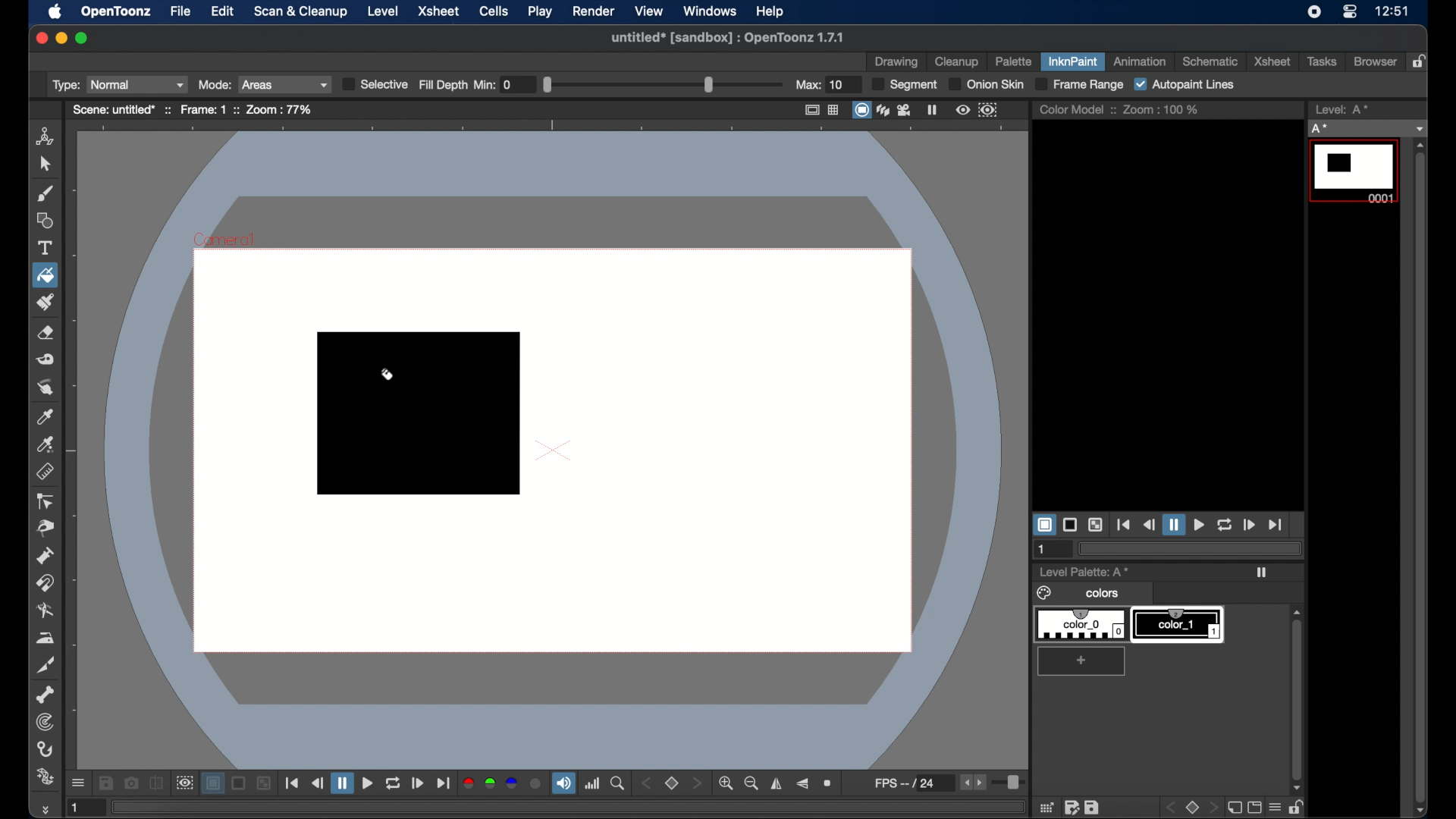 This screenshot has width=1456, height=819. Describe the element at coordinates (45, 164) in the screenshot. I see `cursor tool` at that location.